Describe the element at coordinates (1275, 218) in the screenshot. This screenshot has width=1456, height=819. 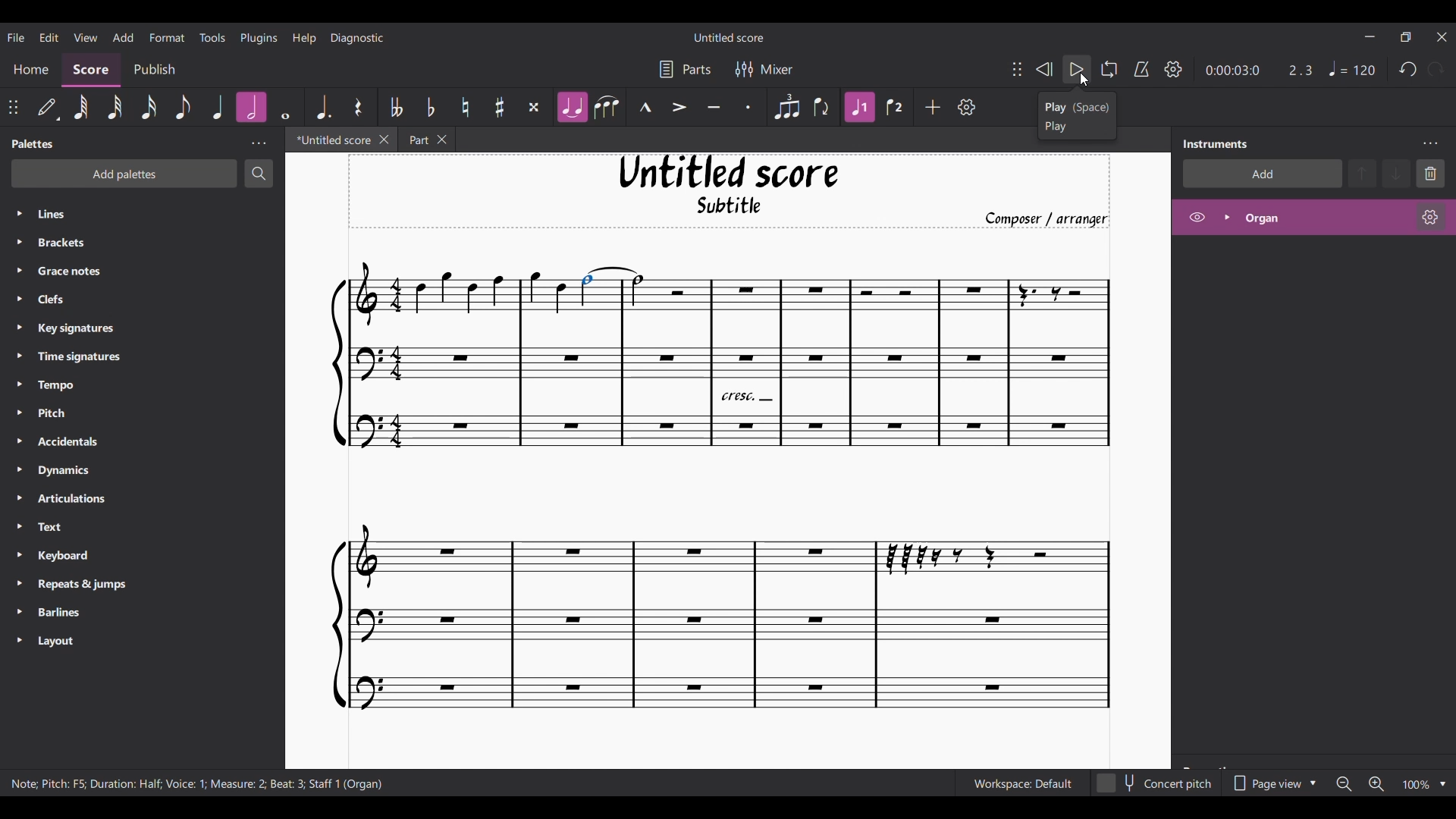
I see `Highlighted after current selection` at that location.